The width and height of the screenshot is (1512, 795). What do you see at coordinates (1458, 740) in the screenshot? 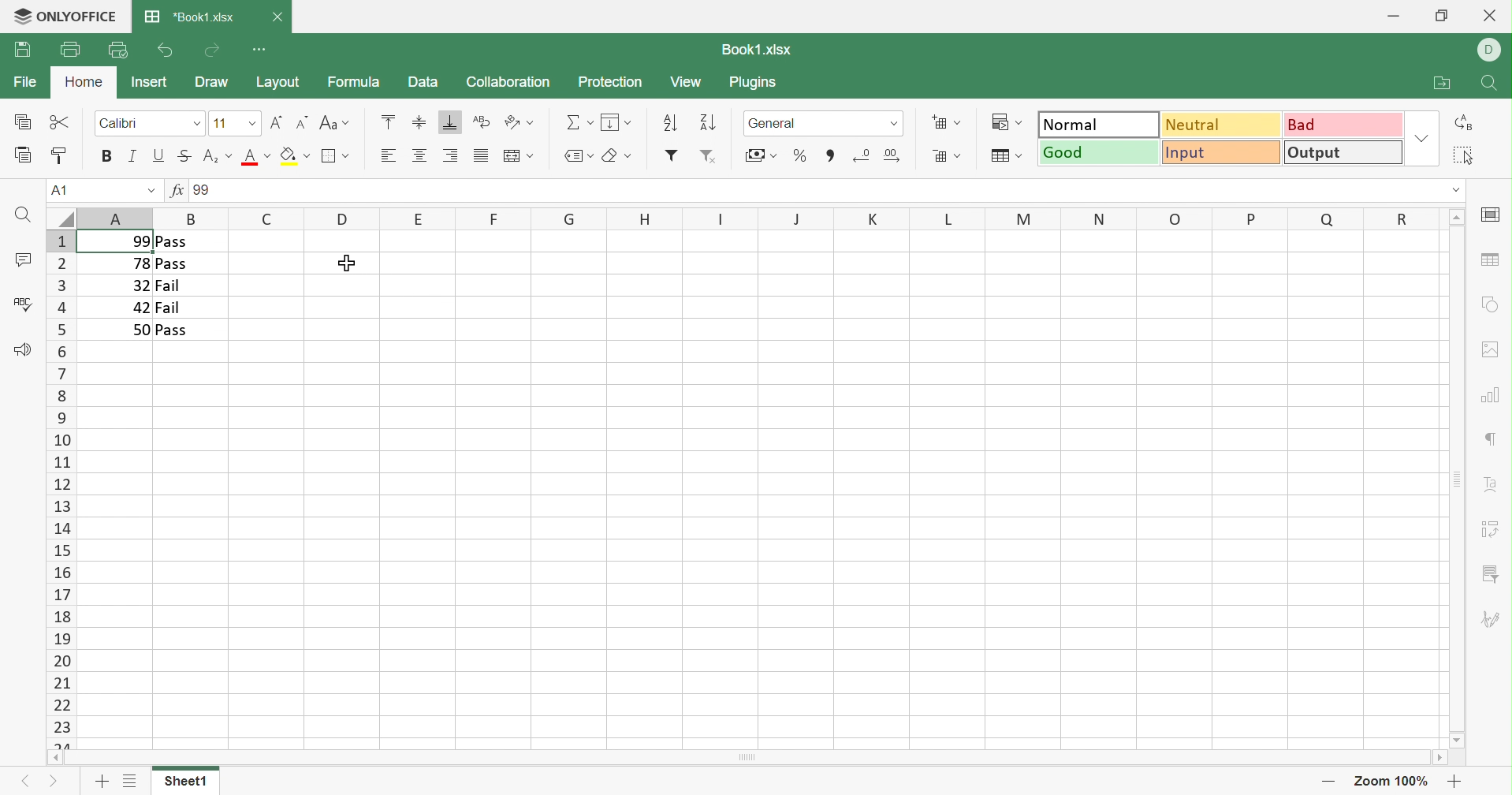
I see `Scroll down` at bounding box center [1458, 740].